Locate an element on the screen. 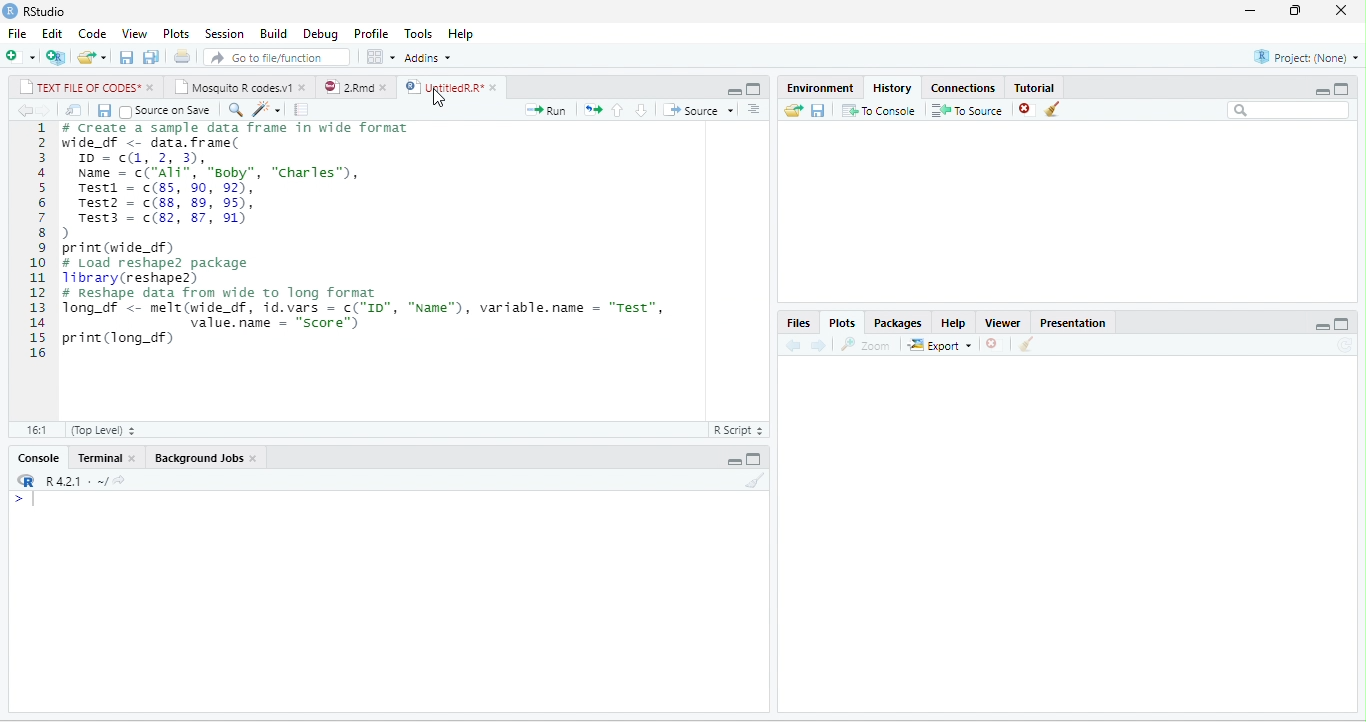  close file is located at coordinates (1027, 109).